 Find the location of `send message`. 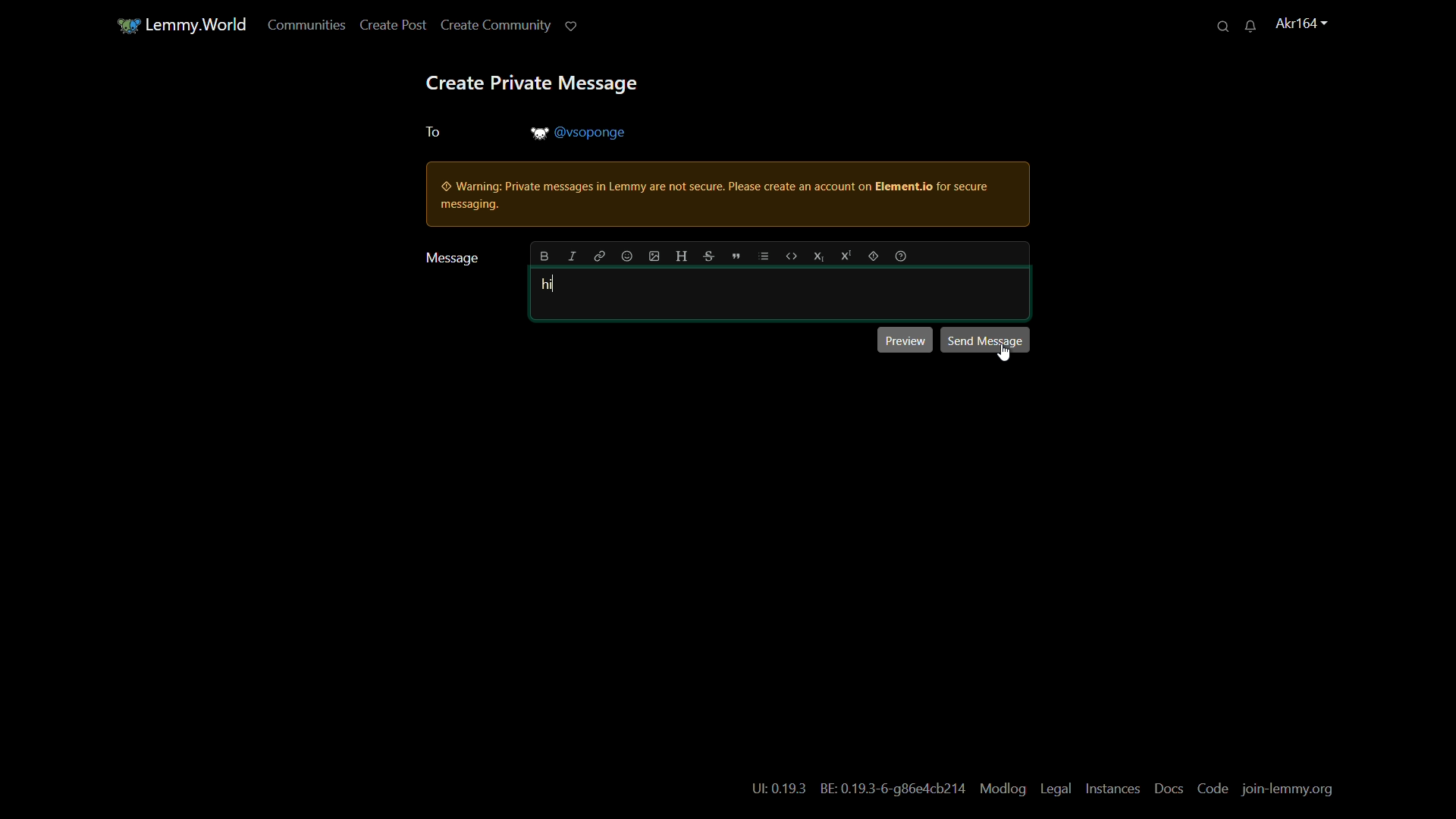

send message is located at coordinates (985, 339).